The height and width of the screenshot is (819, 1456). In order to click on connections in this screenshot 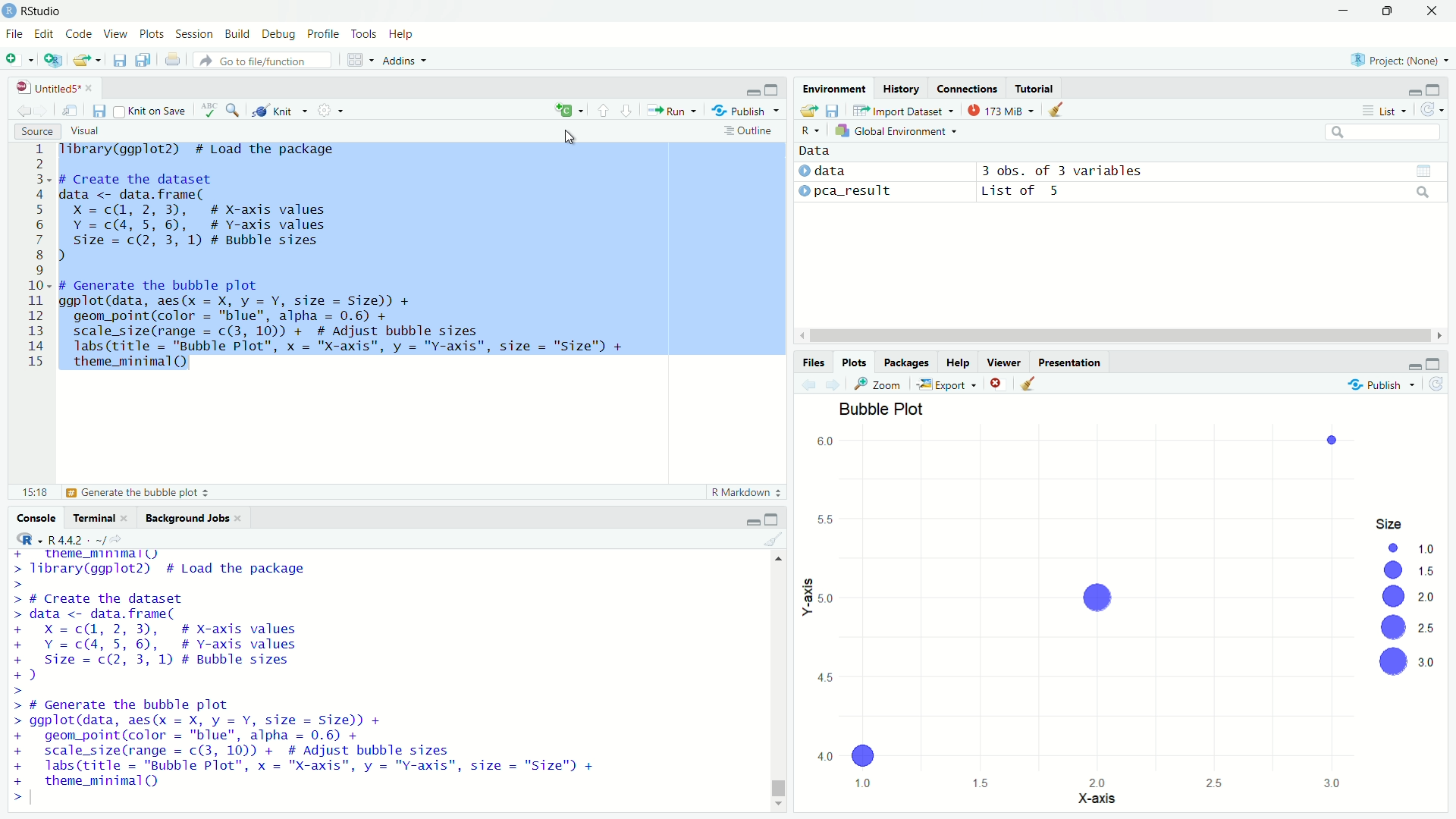, I will do `click(967, 88)`.